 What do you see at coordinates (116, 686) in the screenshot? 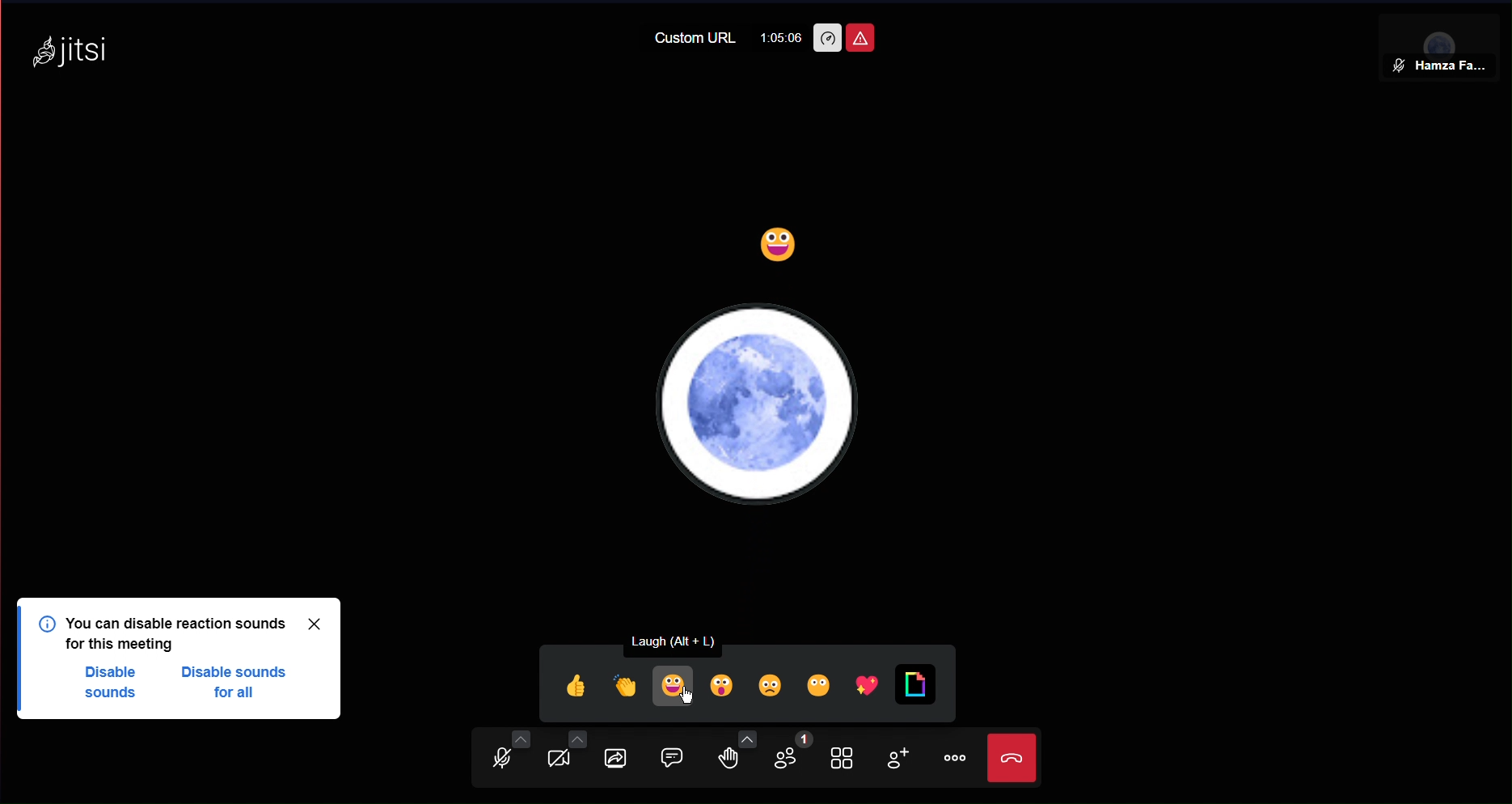
I see `Disable sounds` at bounding box center [116, 686].